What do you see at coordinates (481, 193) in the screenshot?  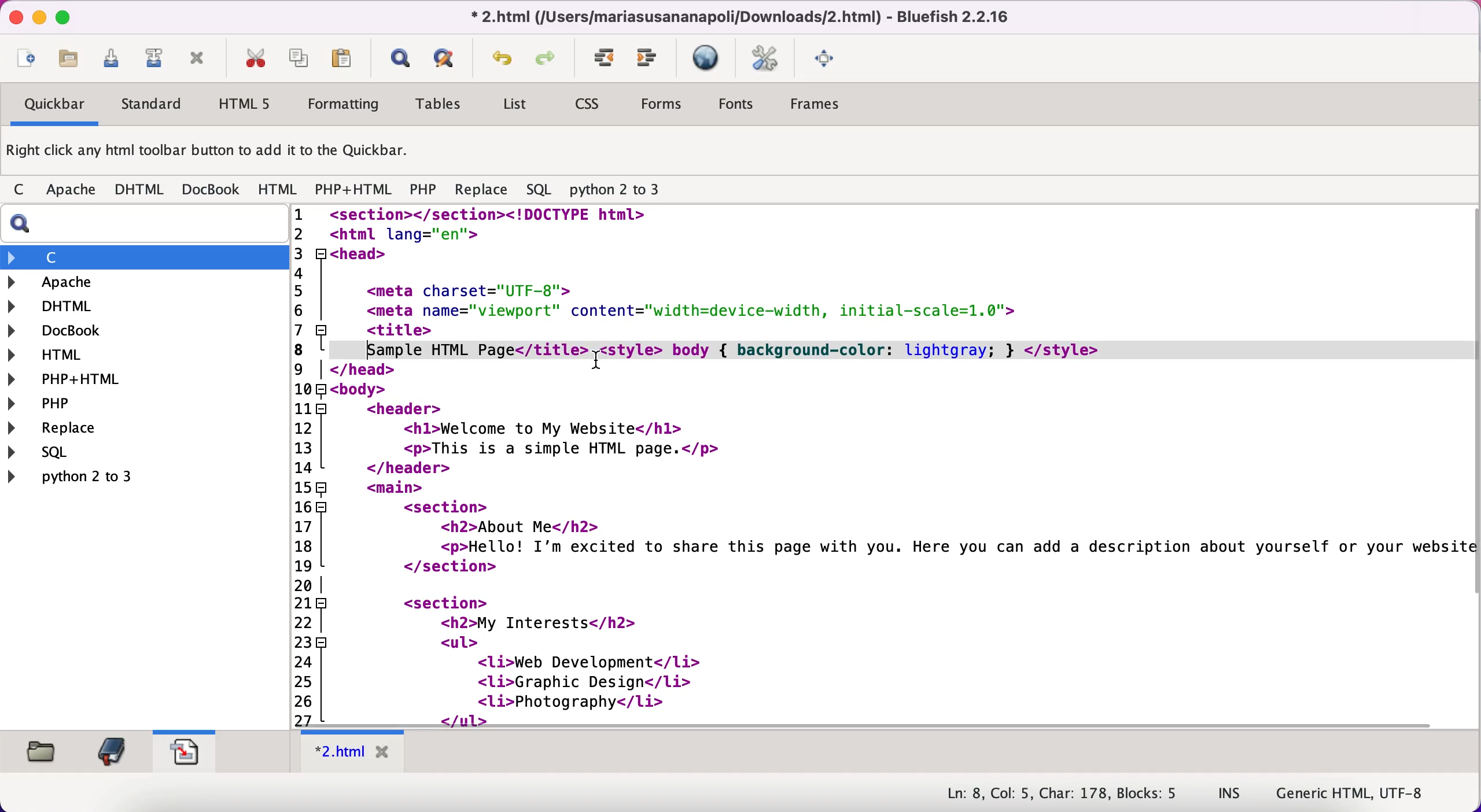 I see `replace` at bounding box center [481, 193].